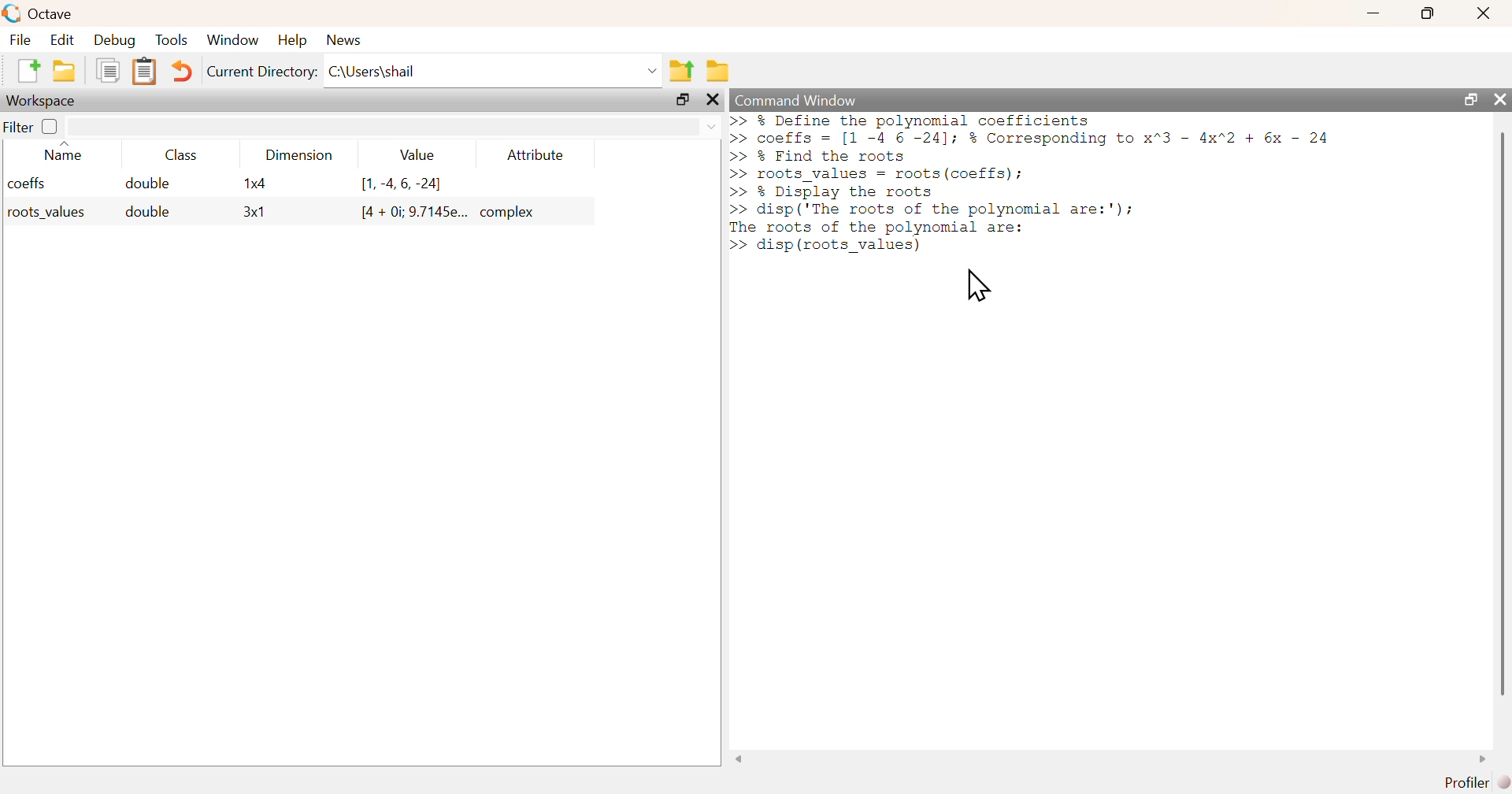  Describe the element at coordinates (43, 213) in the screenshot. I see `roots values` at that location.